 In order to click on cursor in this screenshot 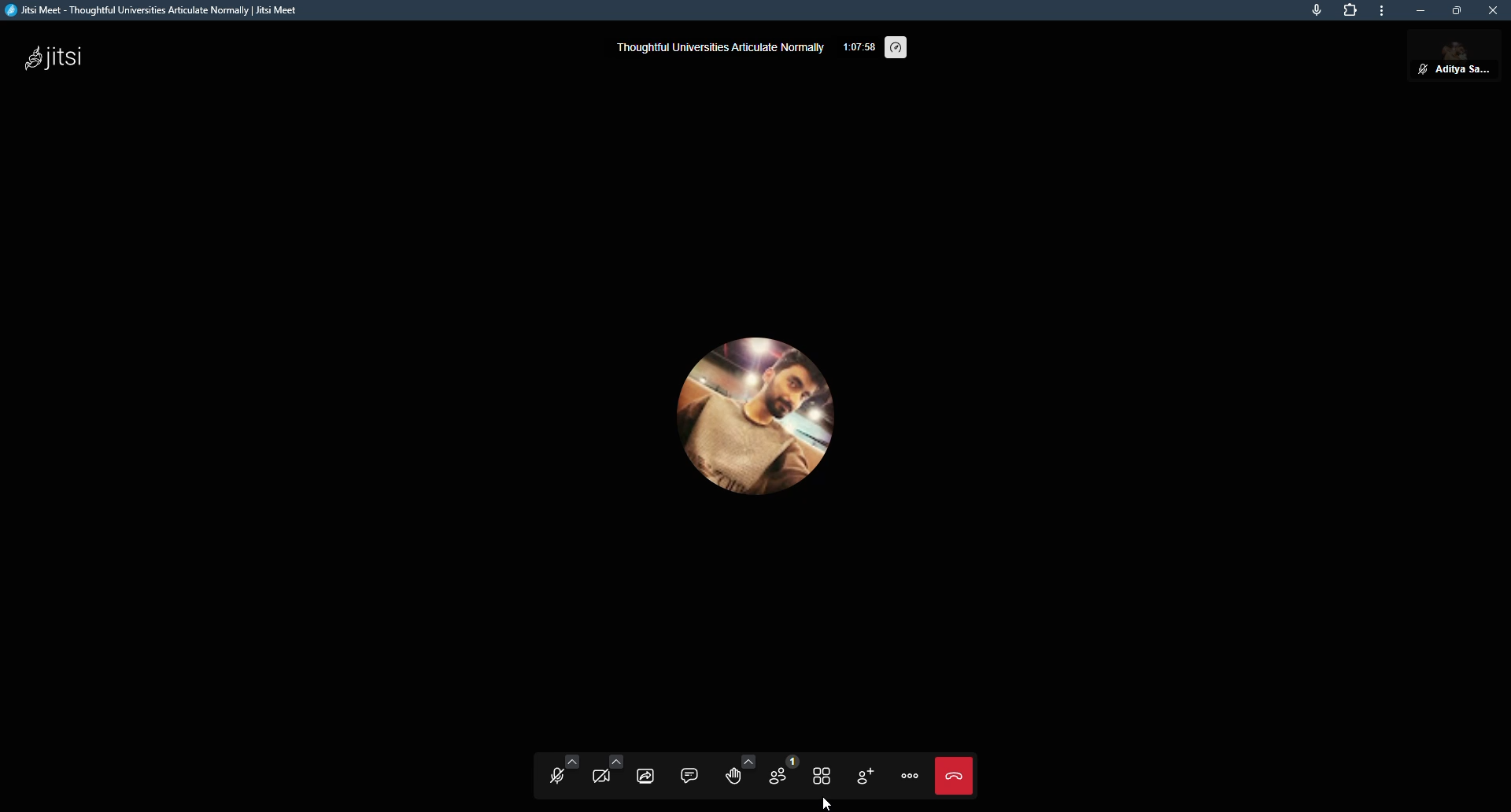, I will do `click(828, 800)`.